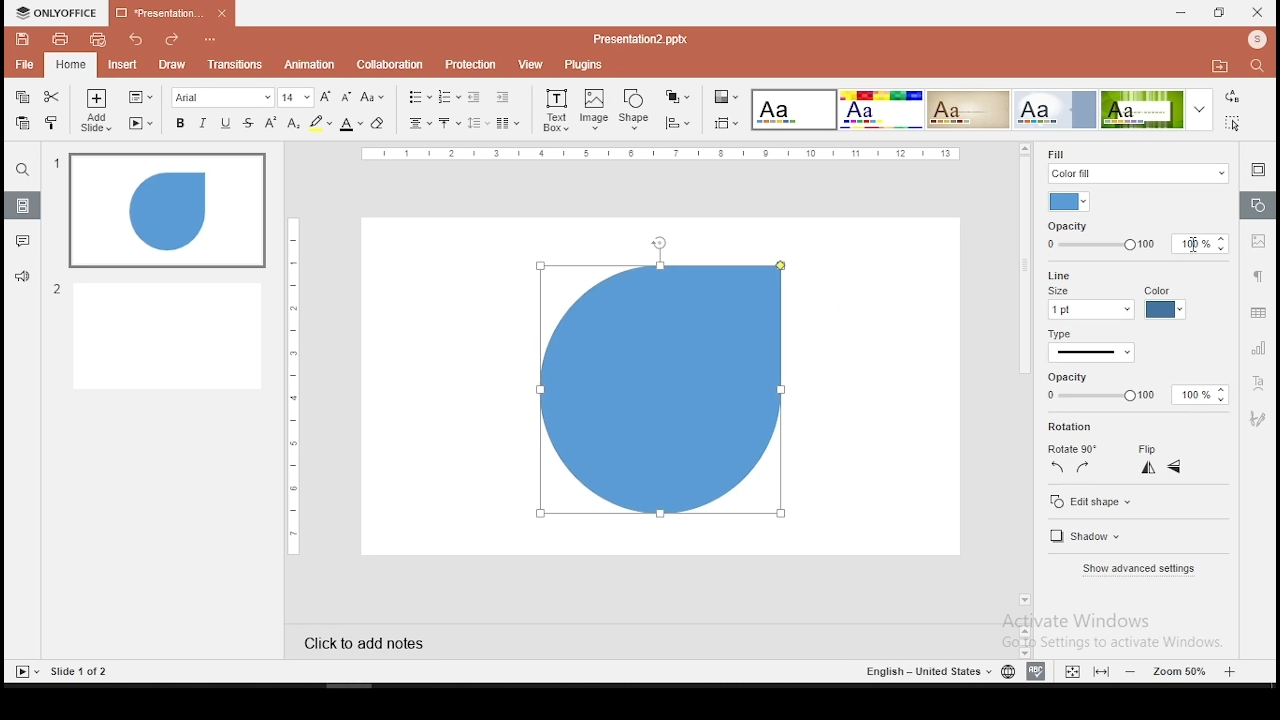 This screenshot has height=720, width=1280. Describe the element at coordinates (1082, 467) in the screenshot. I see `right` at that location.